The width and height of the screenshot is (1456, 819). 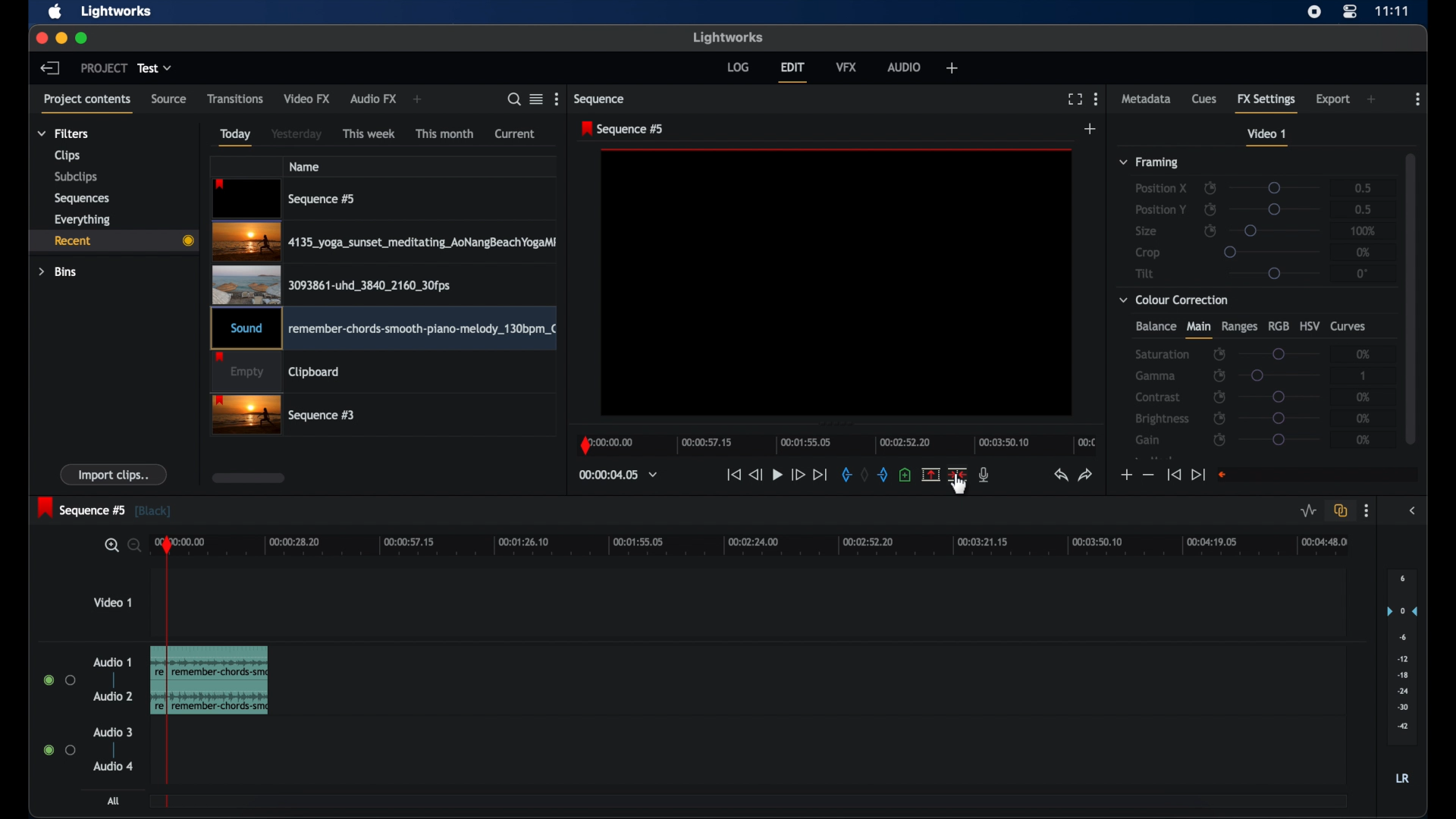 What do you see at coordinates (1219, 397) in the screenshot?
I see `enable/disable keyframes` at bounding box center [1219, 397].